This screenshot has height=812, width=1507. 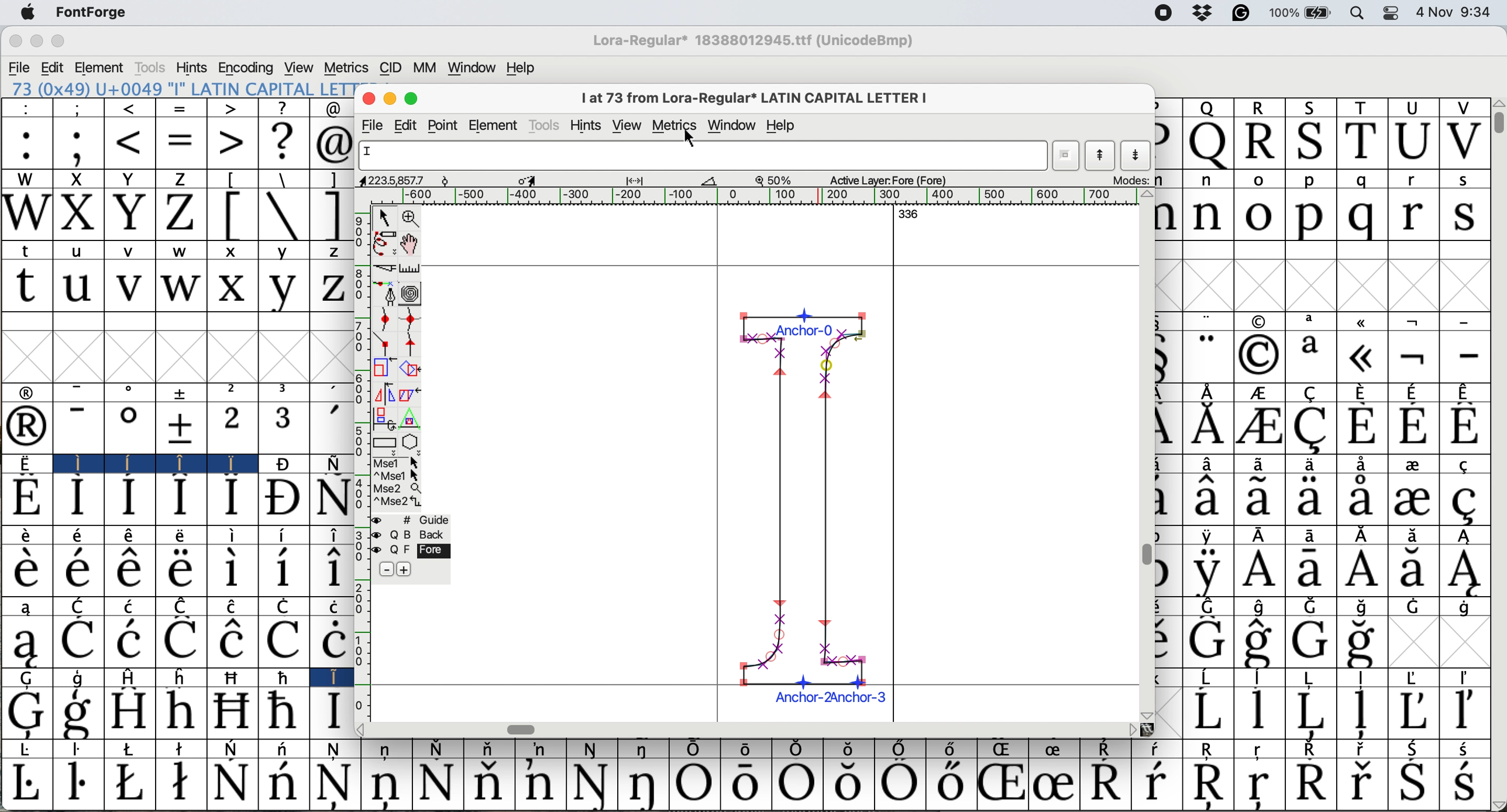 What do you see at coordinates (386, 294) in the screenshot?
I see `add a point then drag out its central points` at bounding box center [386, 294].